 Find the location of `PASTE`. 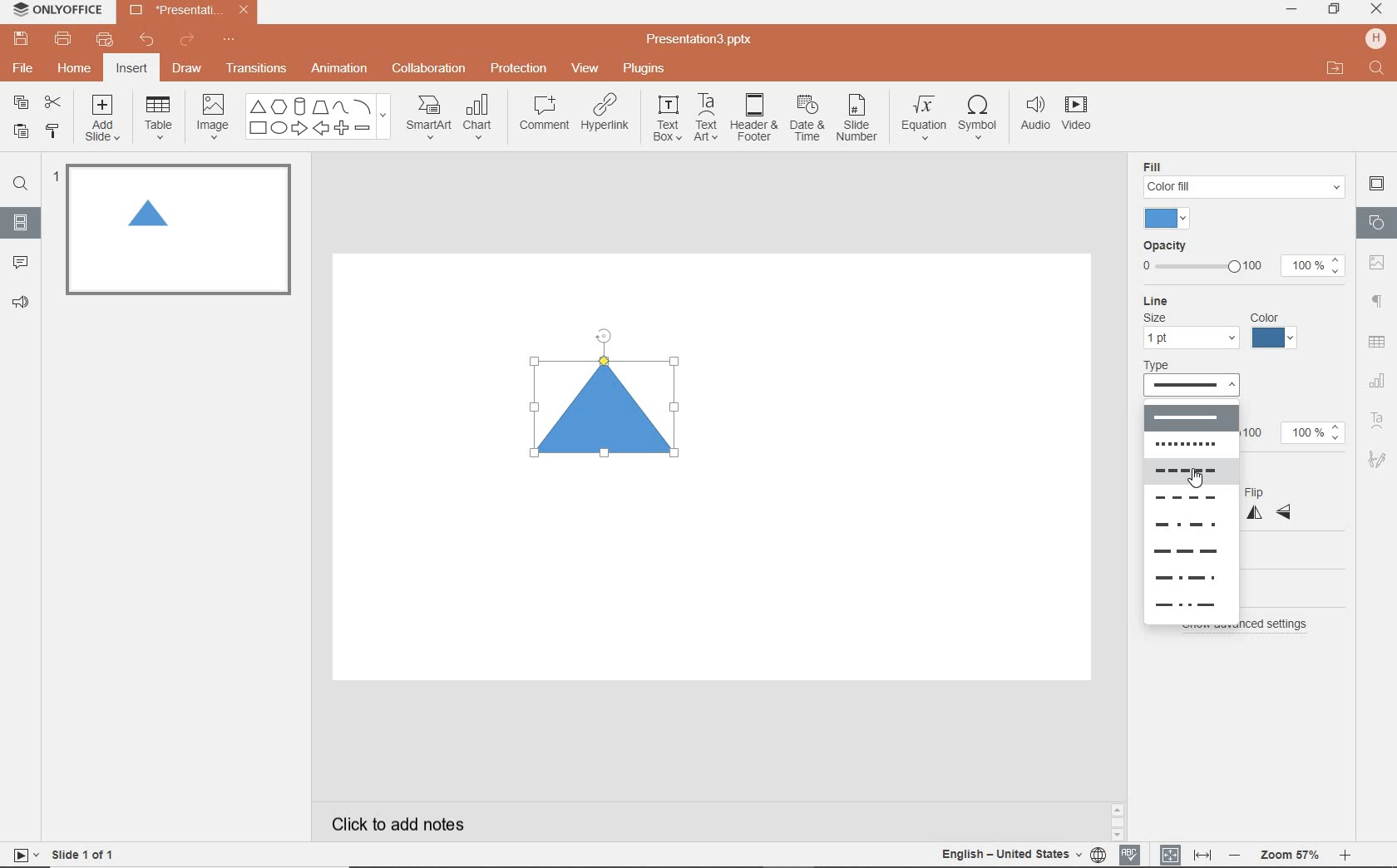

PASTE is located at coordinates (17, 132).